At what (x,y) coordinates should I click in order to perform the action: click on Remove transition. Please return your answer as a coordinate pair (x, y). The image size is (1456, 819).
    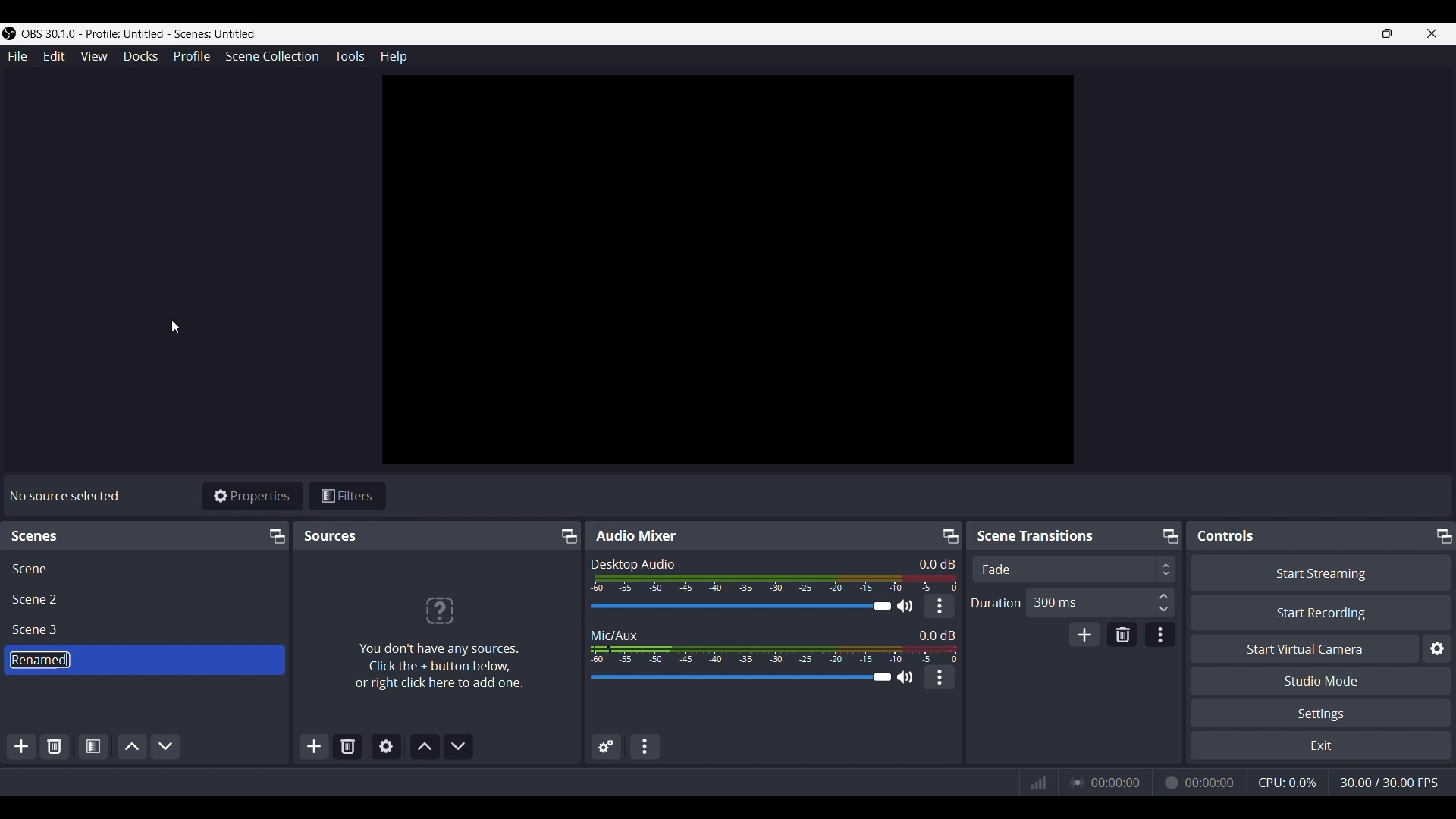
    Looking at the image, I should click on (1121, 635).